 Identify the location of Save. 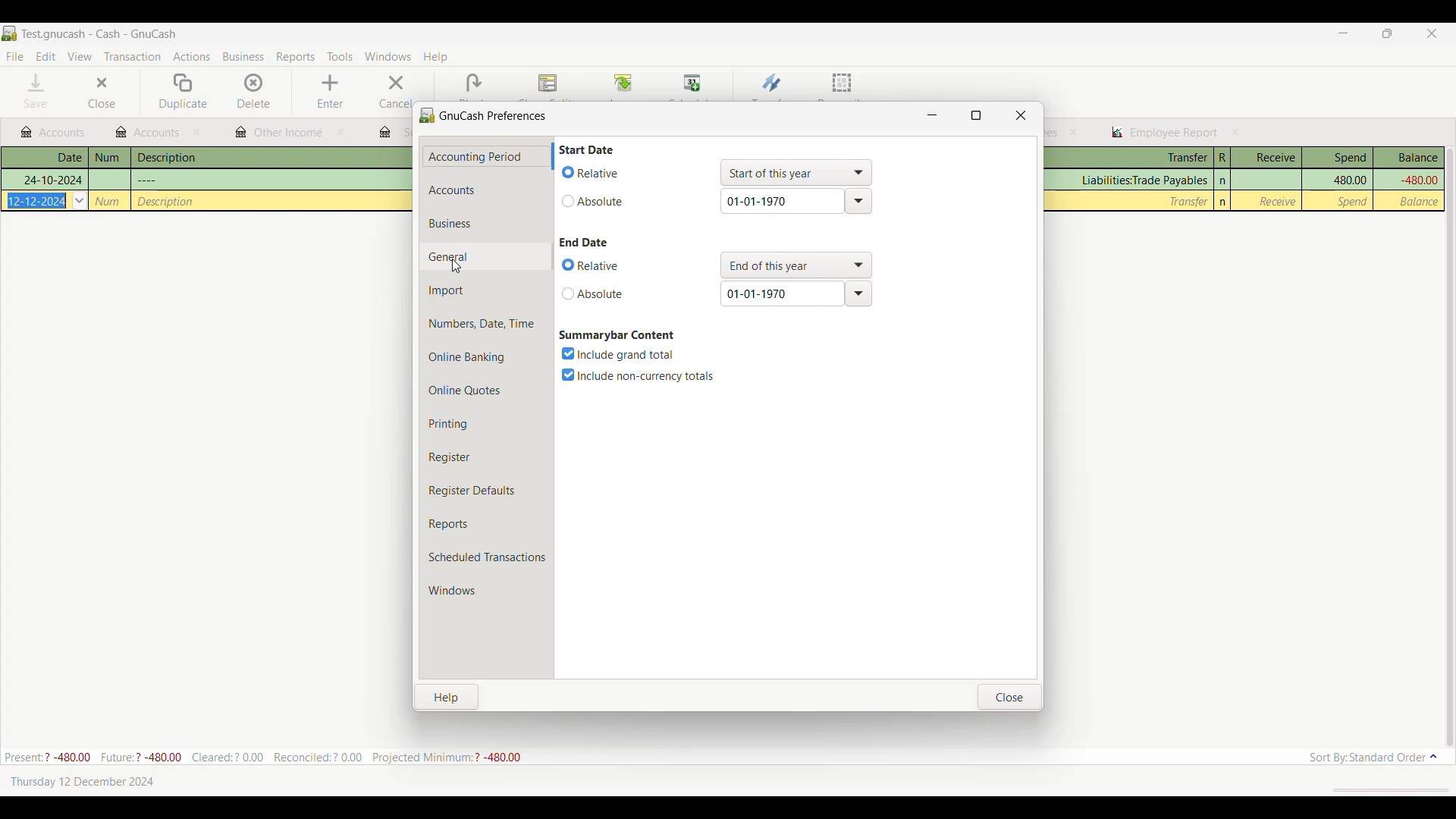
(36, 90).